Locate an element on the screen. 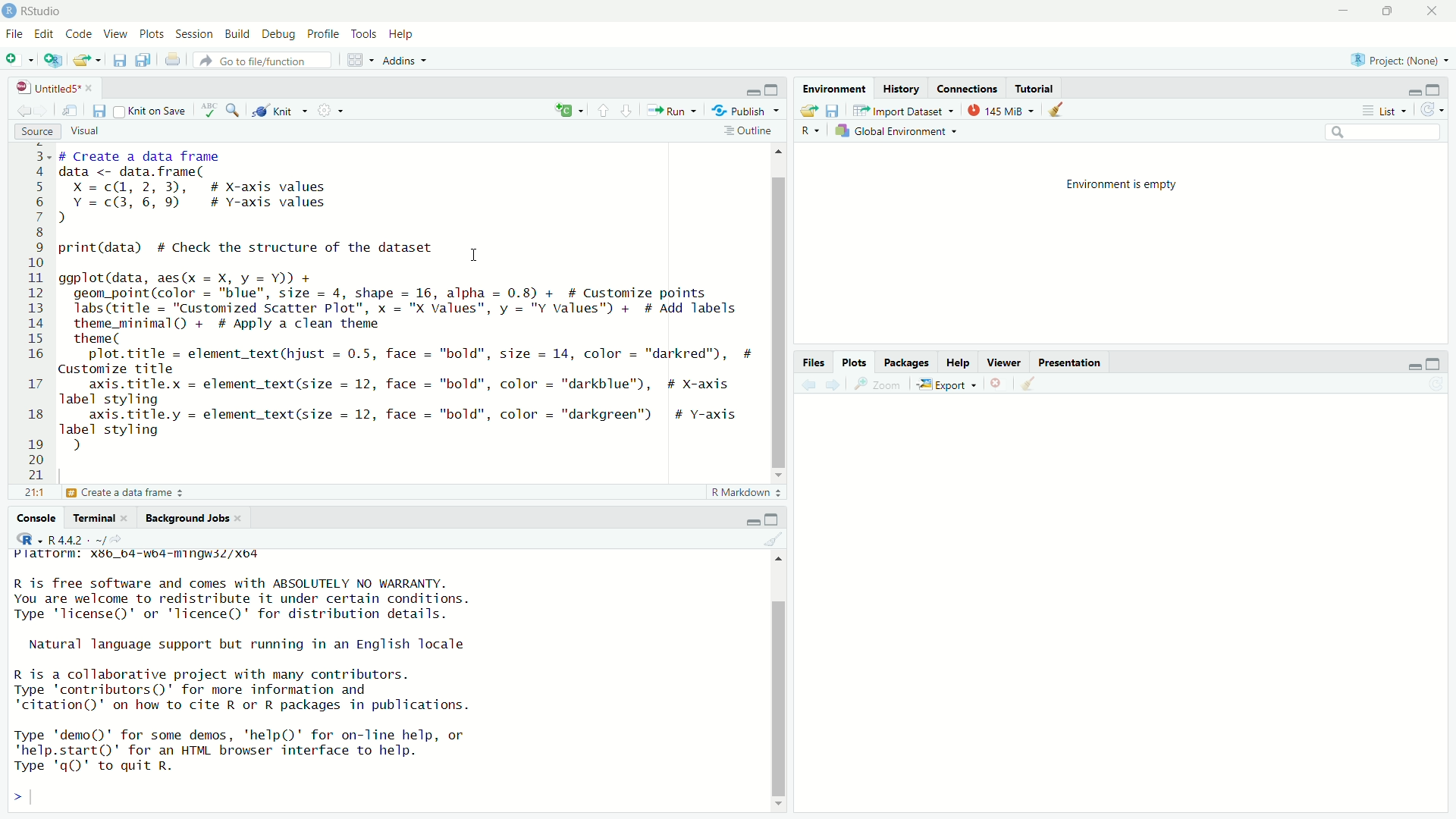 The height and width of the screenshot is (819, 1456). Clear console is located at coordinates (1059, 111).